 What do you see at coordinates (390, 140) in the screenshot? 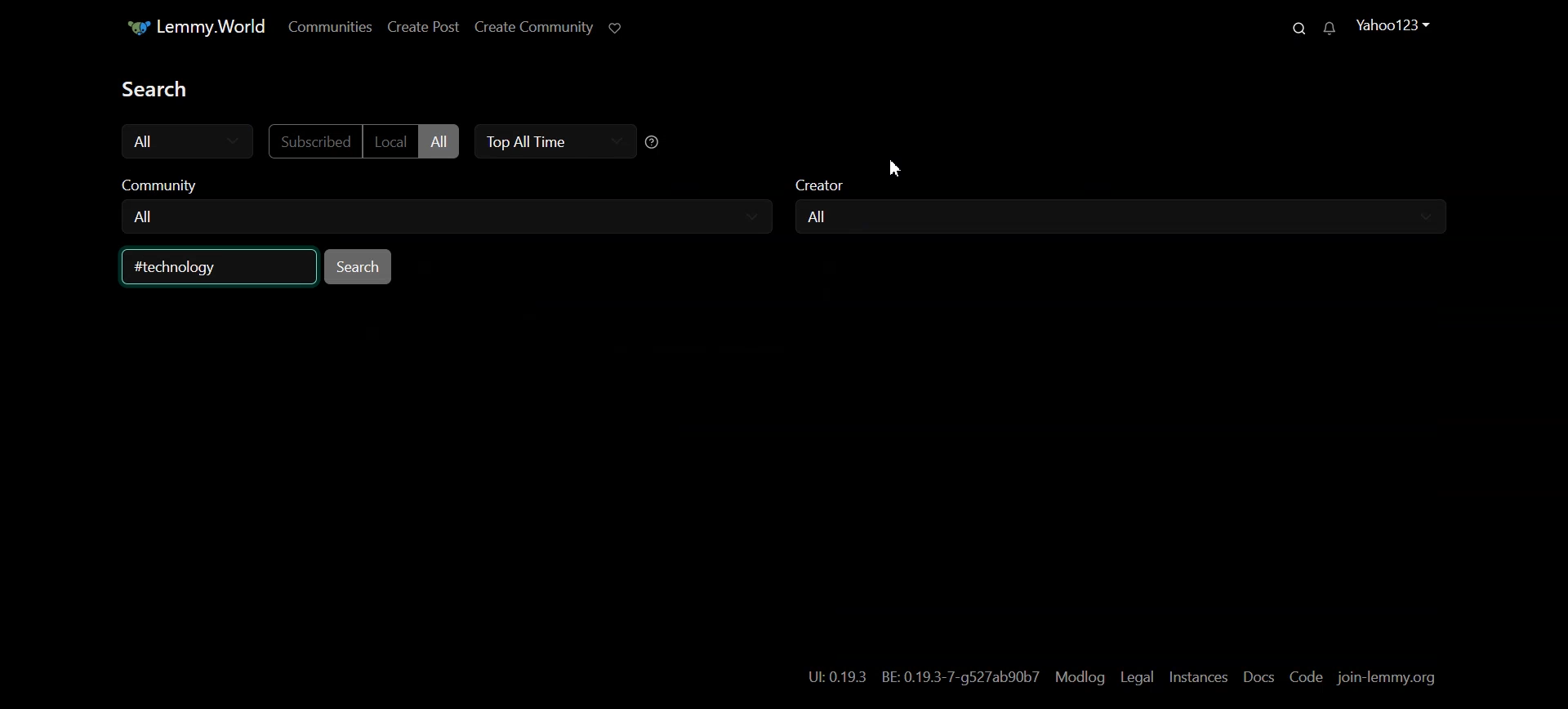
I see `Local` at bounding box center [390, 140].